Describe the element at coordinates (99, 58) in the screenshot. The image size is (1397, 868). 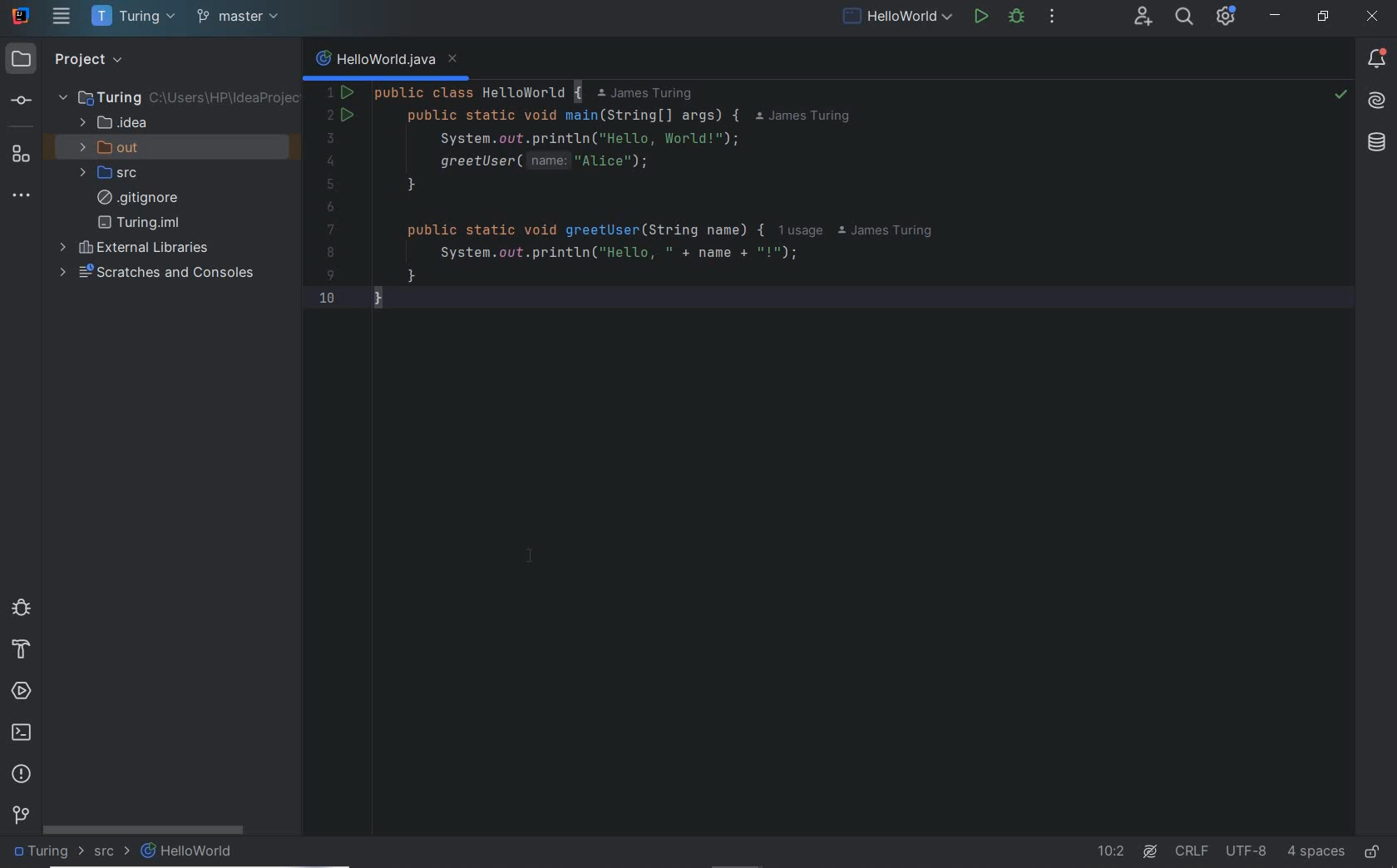
I see `project` at that location.